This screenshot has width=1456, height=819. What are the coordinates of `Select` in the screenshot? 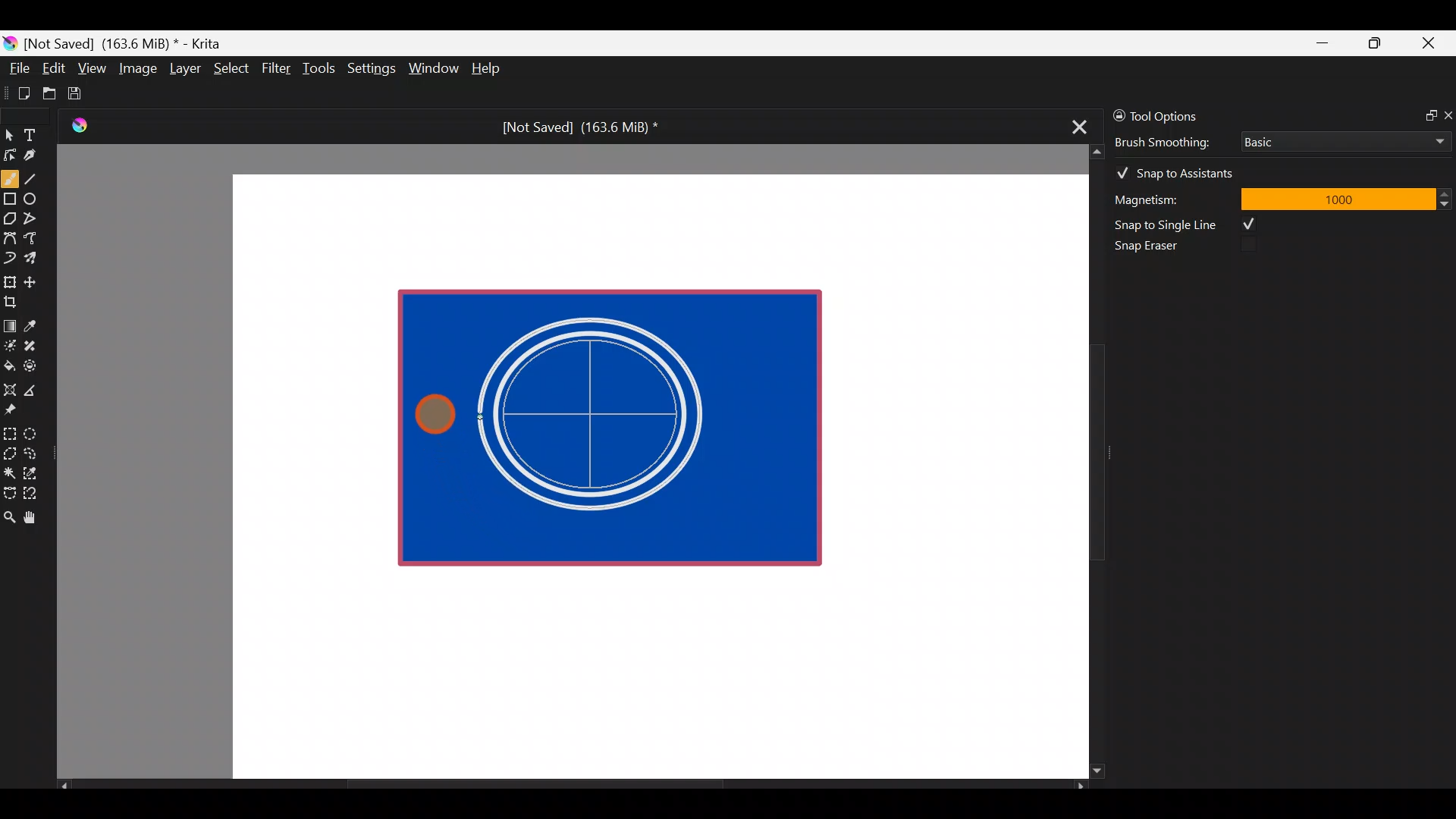 It's located at (232, 67).